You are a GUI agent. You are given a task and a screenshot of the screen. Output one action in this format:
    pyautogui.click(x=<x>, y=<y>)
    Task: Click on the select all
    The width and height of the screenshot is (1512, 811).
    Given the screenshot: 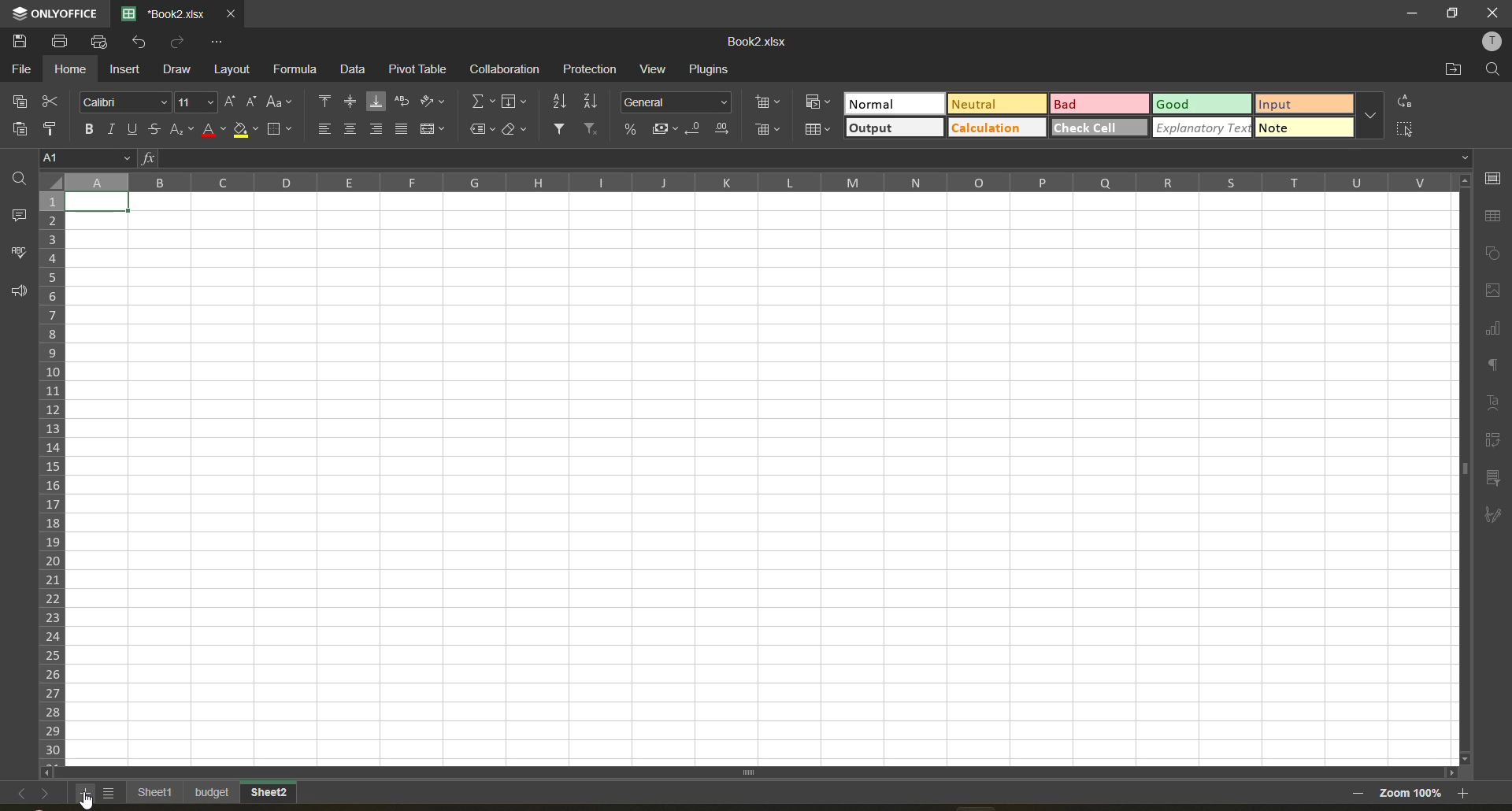 What is the action you would take?
    pyautogui.click(x=1411, y=131)
    